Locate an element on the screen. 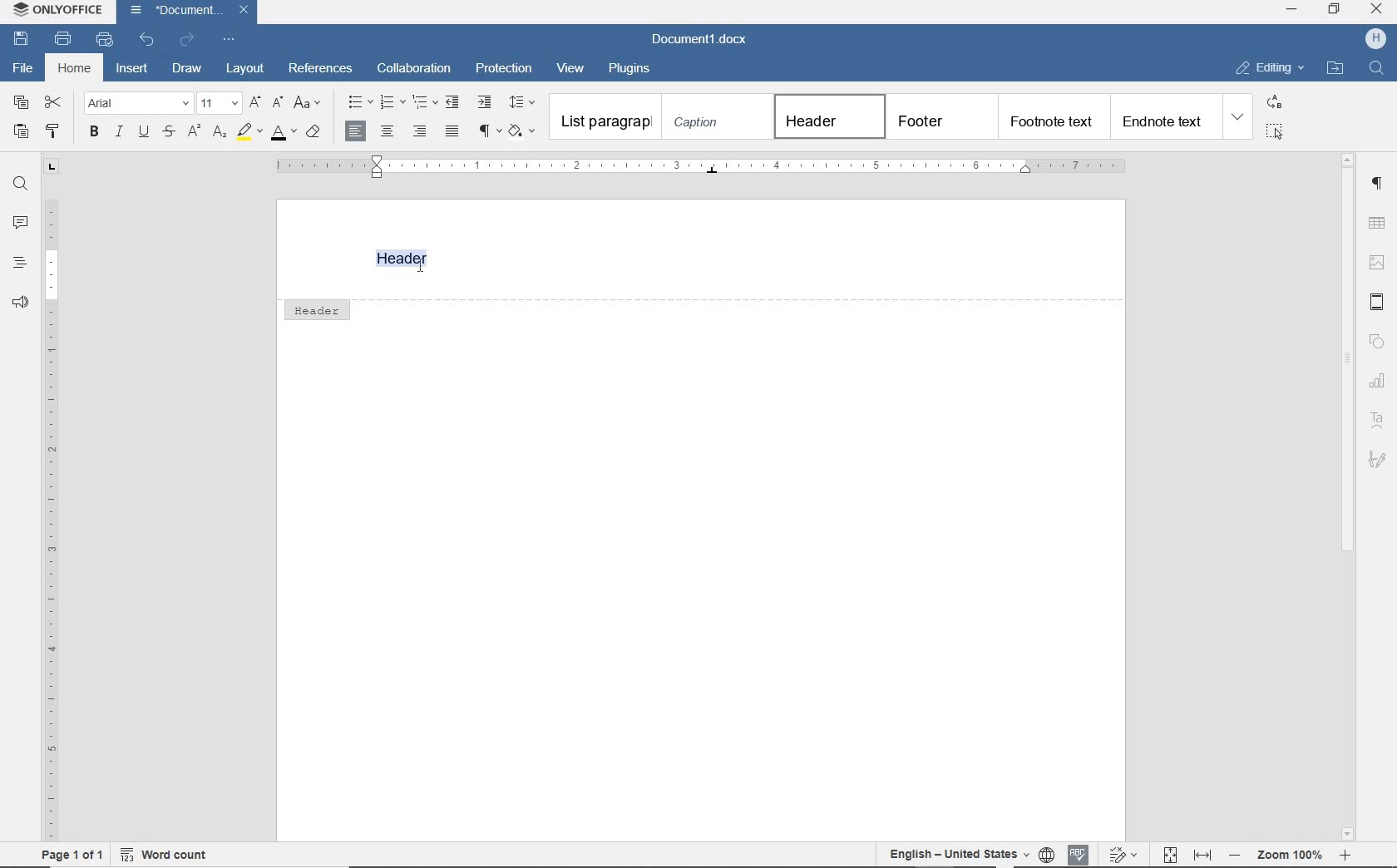 The image size is (1397, 868). TABLE is located at coordinates (1377, 223).